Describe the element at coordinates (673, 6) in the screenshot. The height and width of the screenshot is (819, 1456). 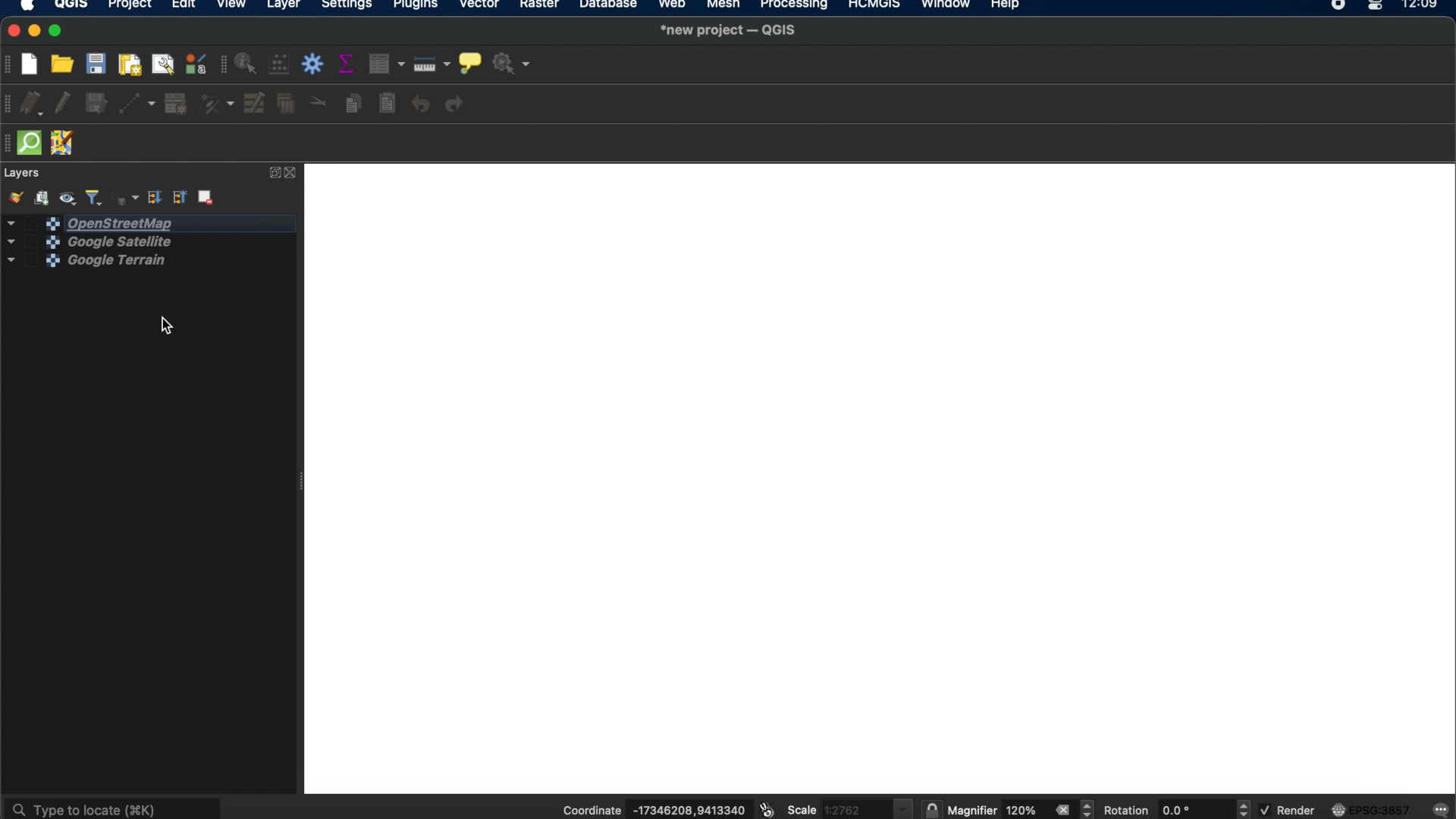
I see `web` at that location.